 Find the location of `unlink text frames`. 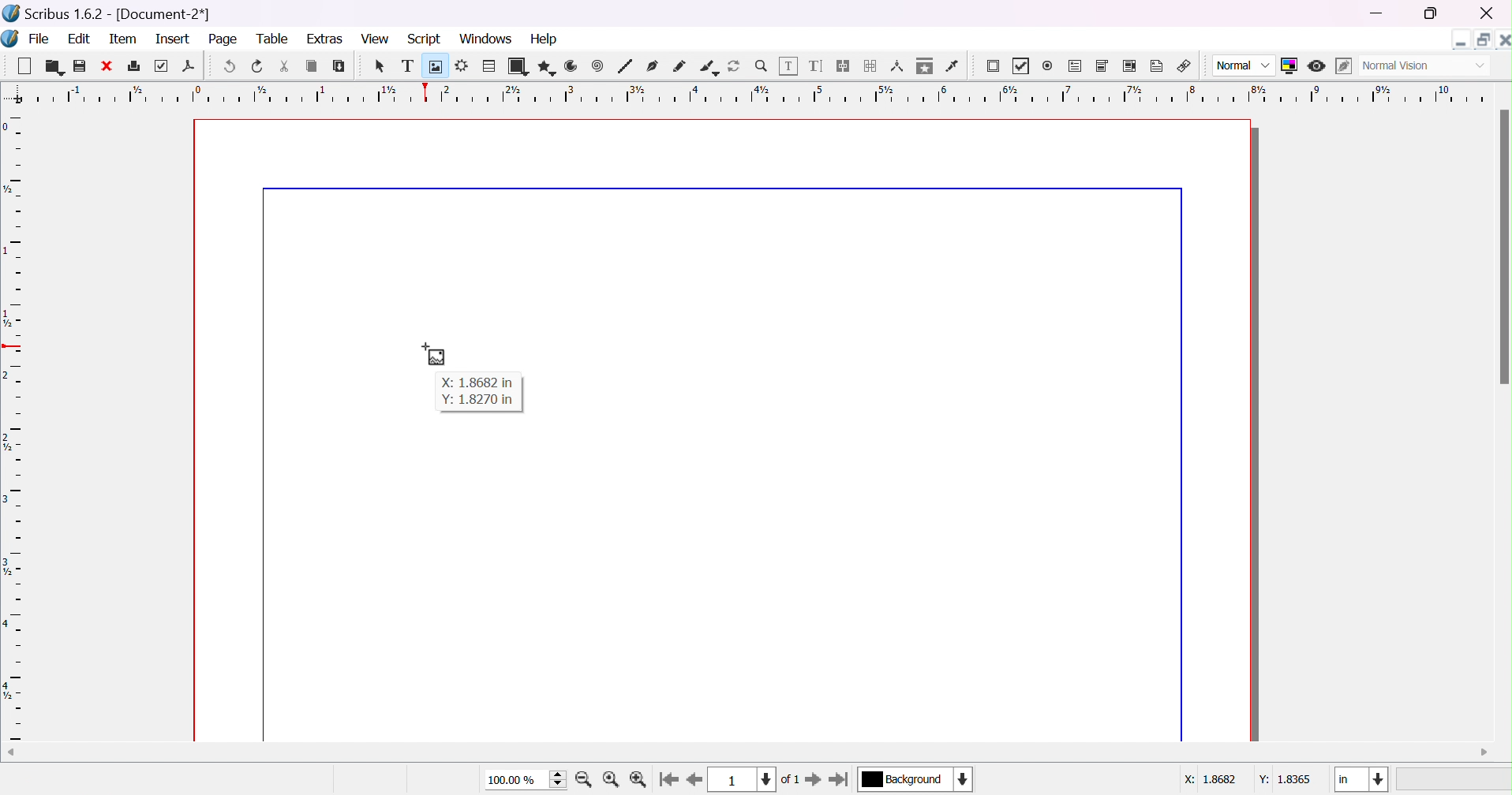

unlink text frames is located at coordinates (871, 65).